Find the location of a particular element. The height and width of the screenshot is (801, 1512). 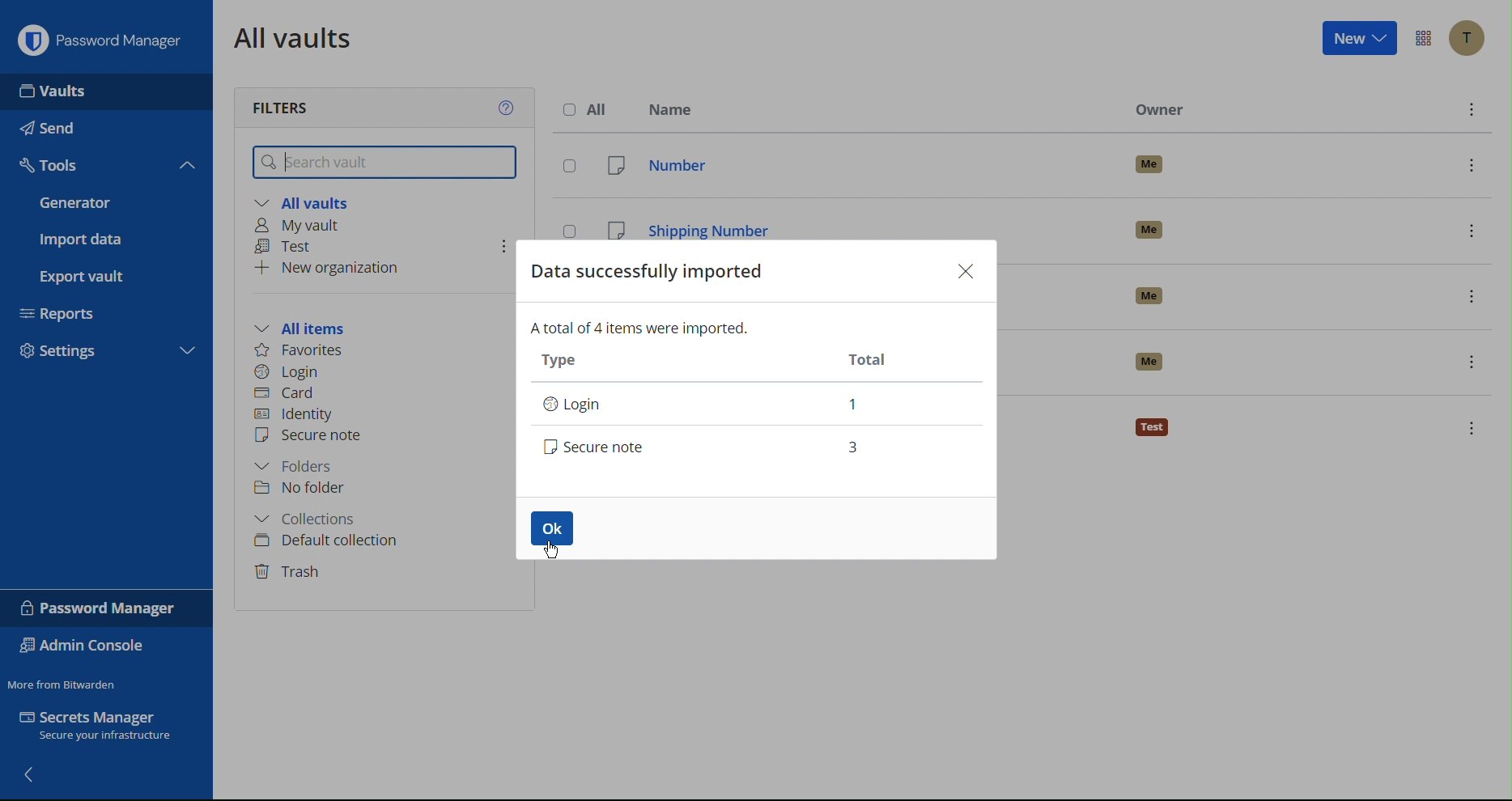

Move from Bitwarden is located at coordinates (62, 684).